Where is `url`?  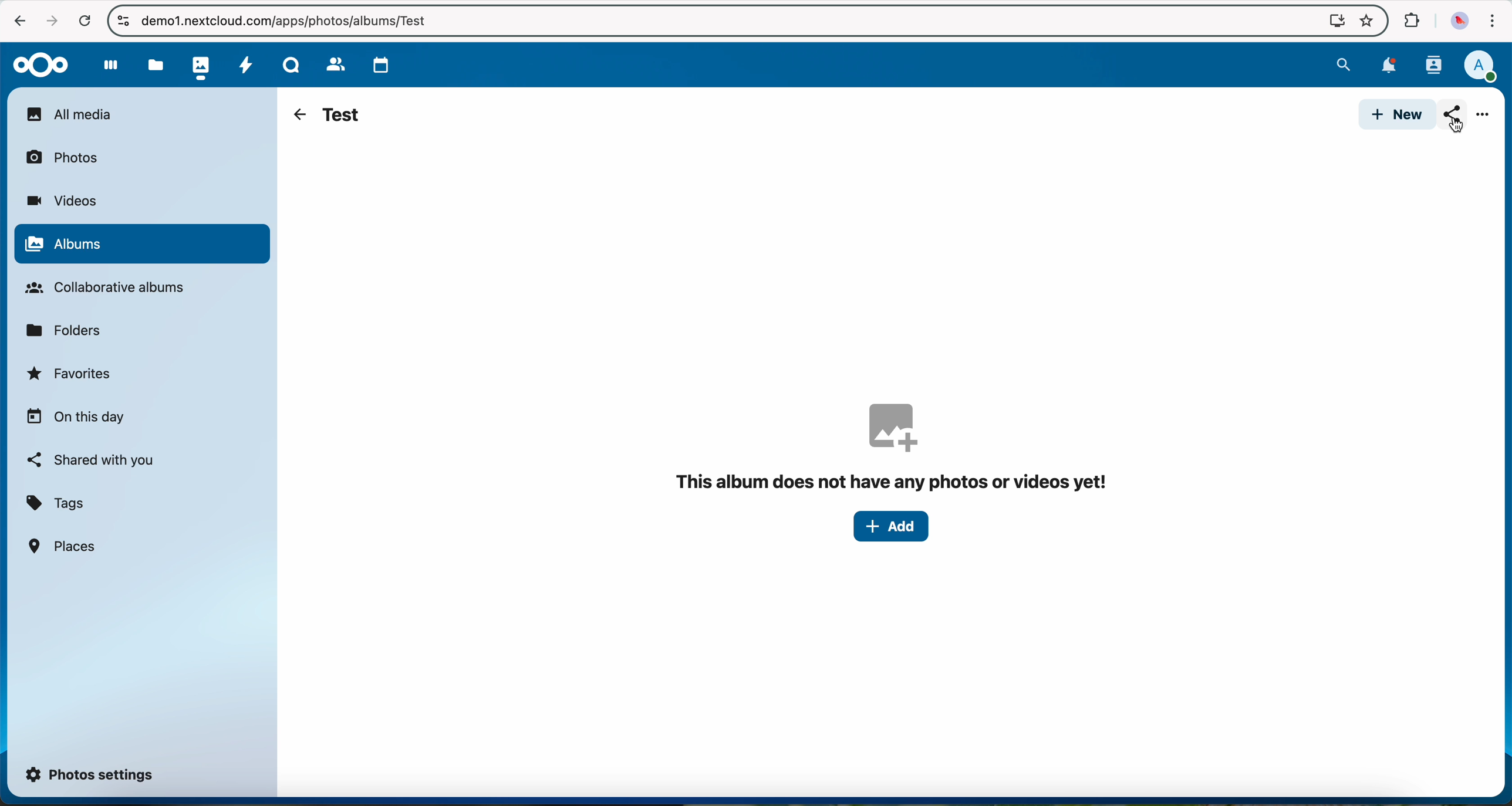 url is located at coordinates (279, 21).